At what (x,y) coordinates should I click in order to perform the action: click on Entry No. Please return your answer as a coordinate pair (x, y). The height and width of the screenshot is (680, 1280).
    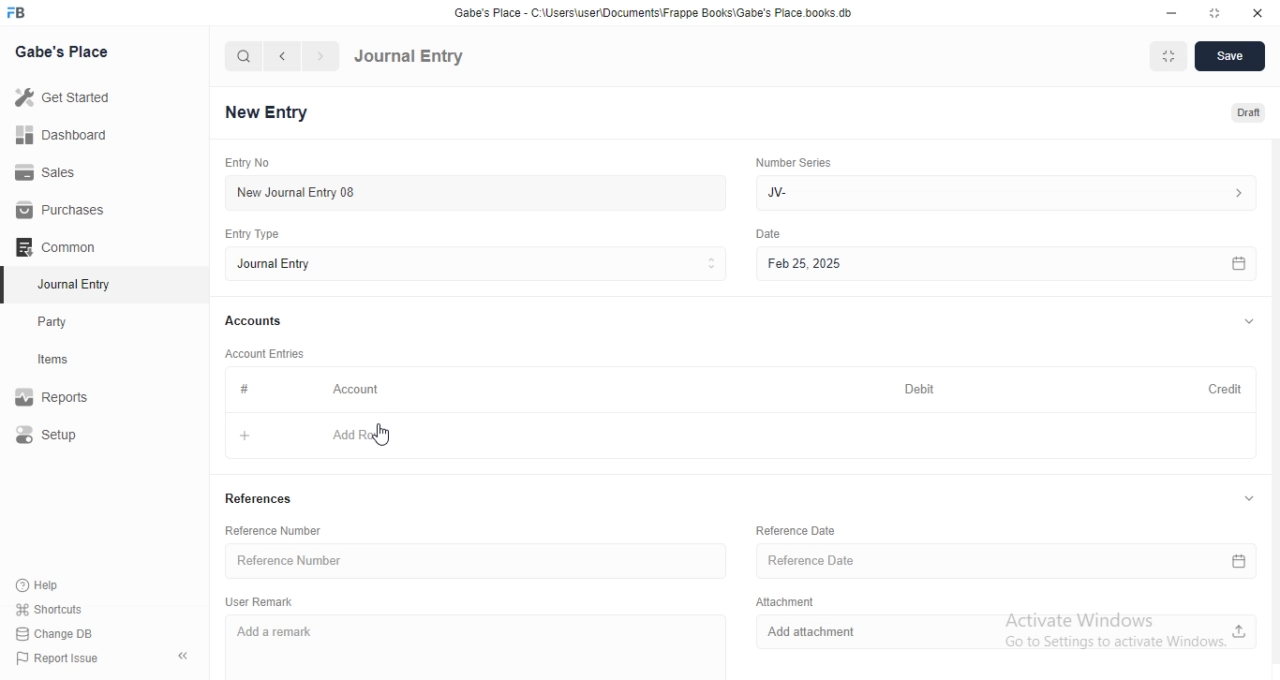
    Looking at the image, I should click on (245, 161).